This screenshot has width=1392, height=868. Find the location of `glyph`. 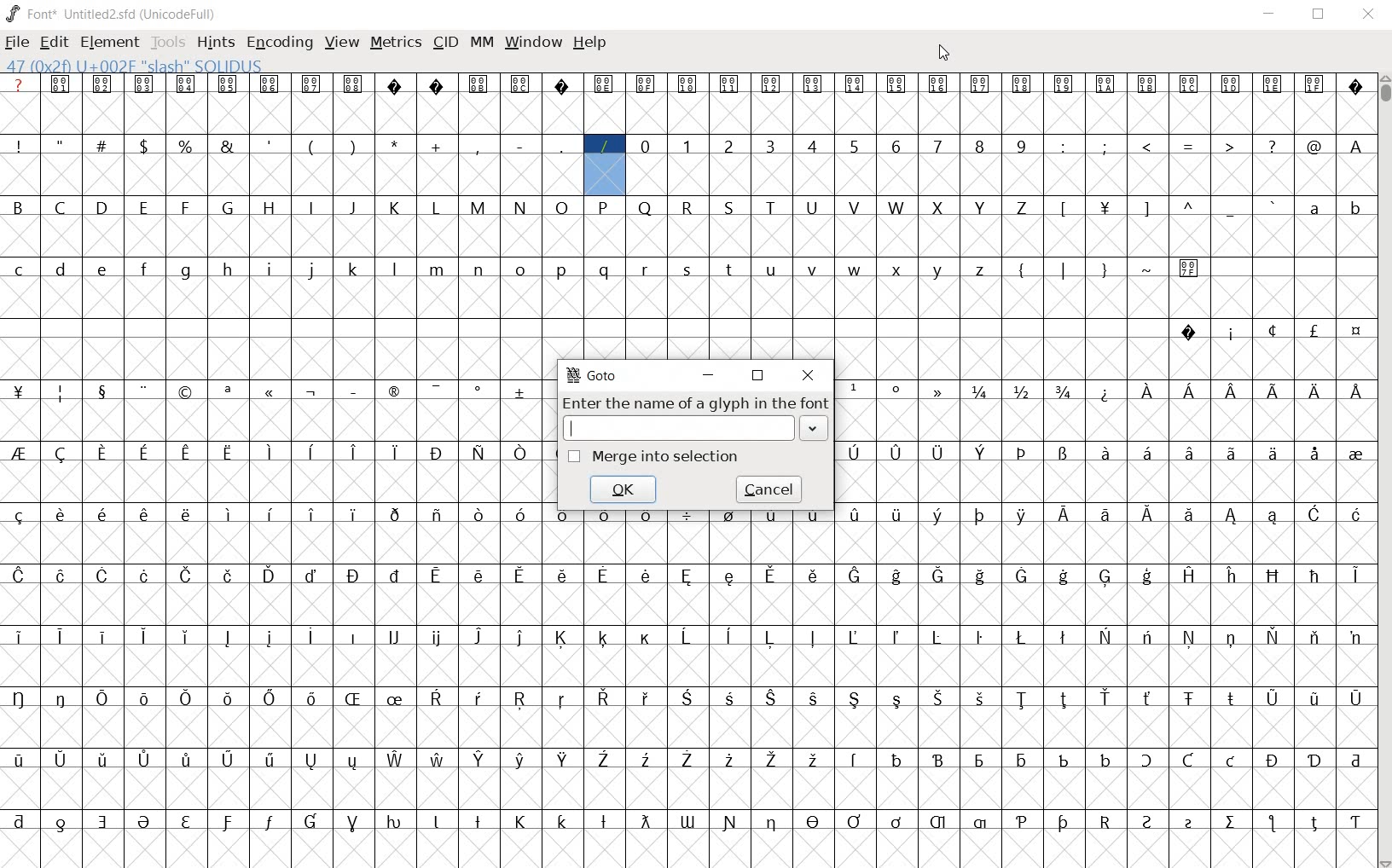

glyph is located at coordinates (435, 454).